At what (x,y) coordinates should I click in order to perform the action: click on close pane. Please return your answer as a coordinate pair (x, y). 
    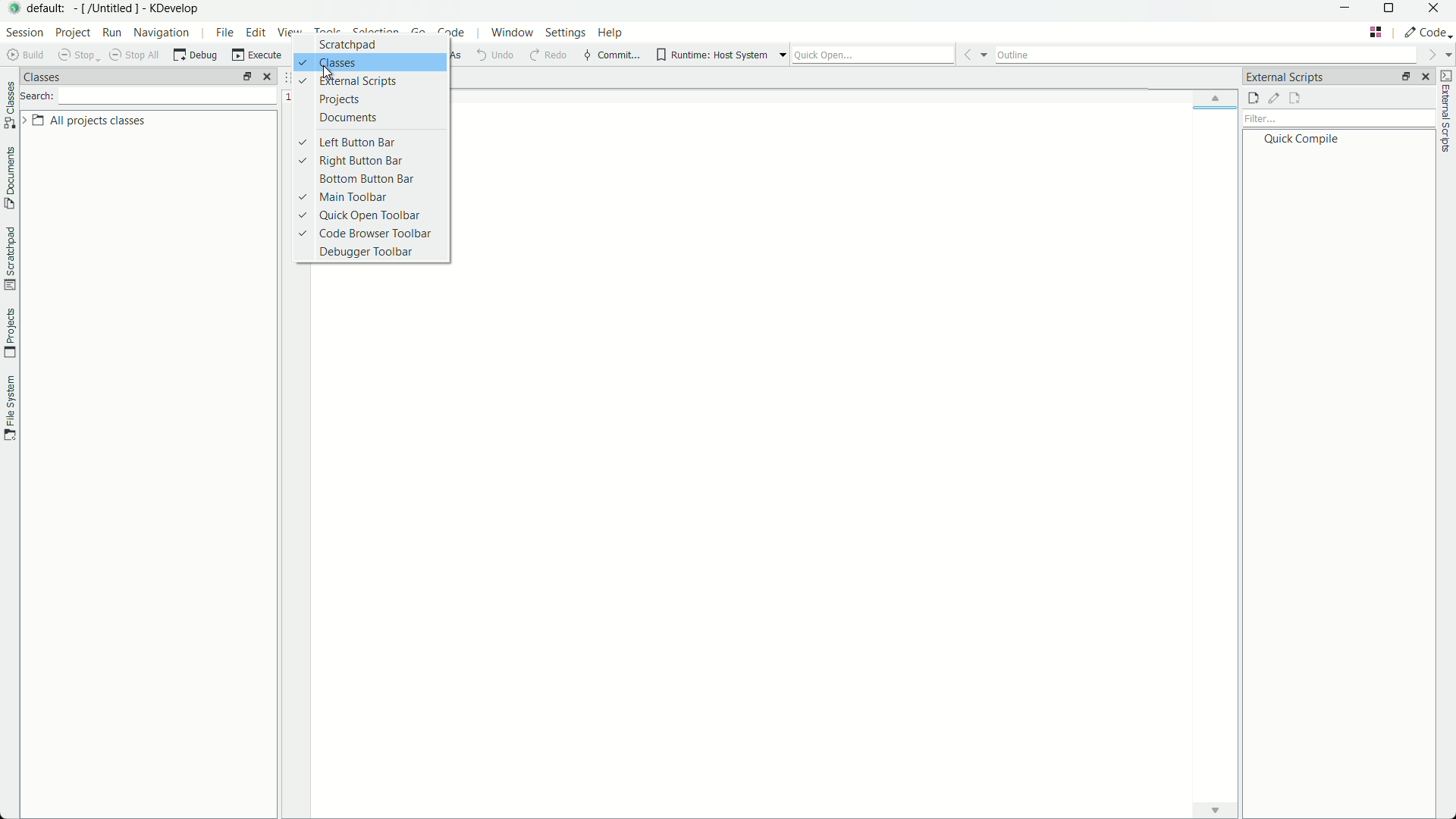
    Looking at the image, I should click on (1427, 77).